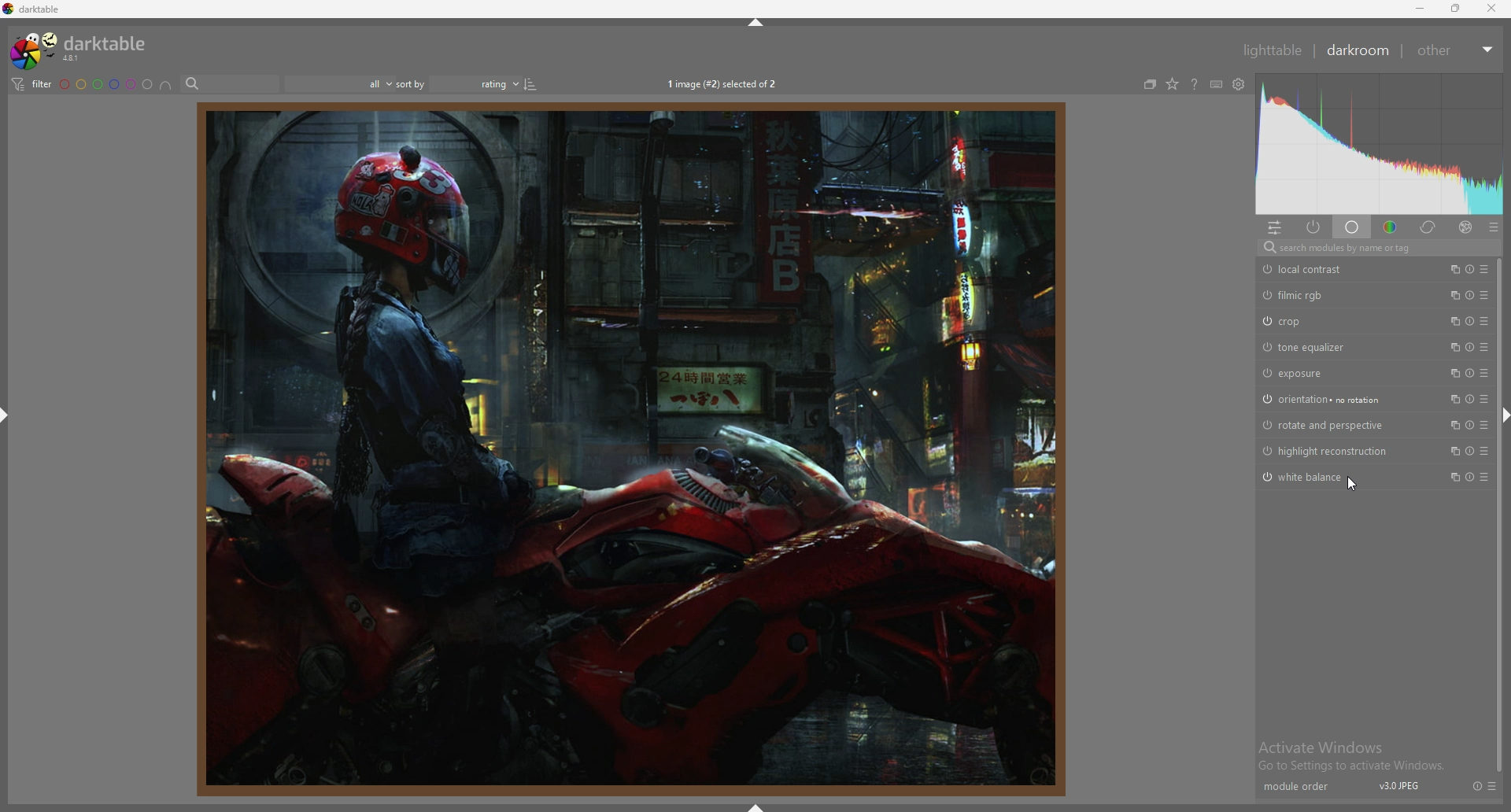 The height and width of the screenshot is (812, 1511). What do you see at coordinates (1484, 268) in the screenshot?
I see `presets` at bounding box center [1484, 268].